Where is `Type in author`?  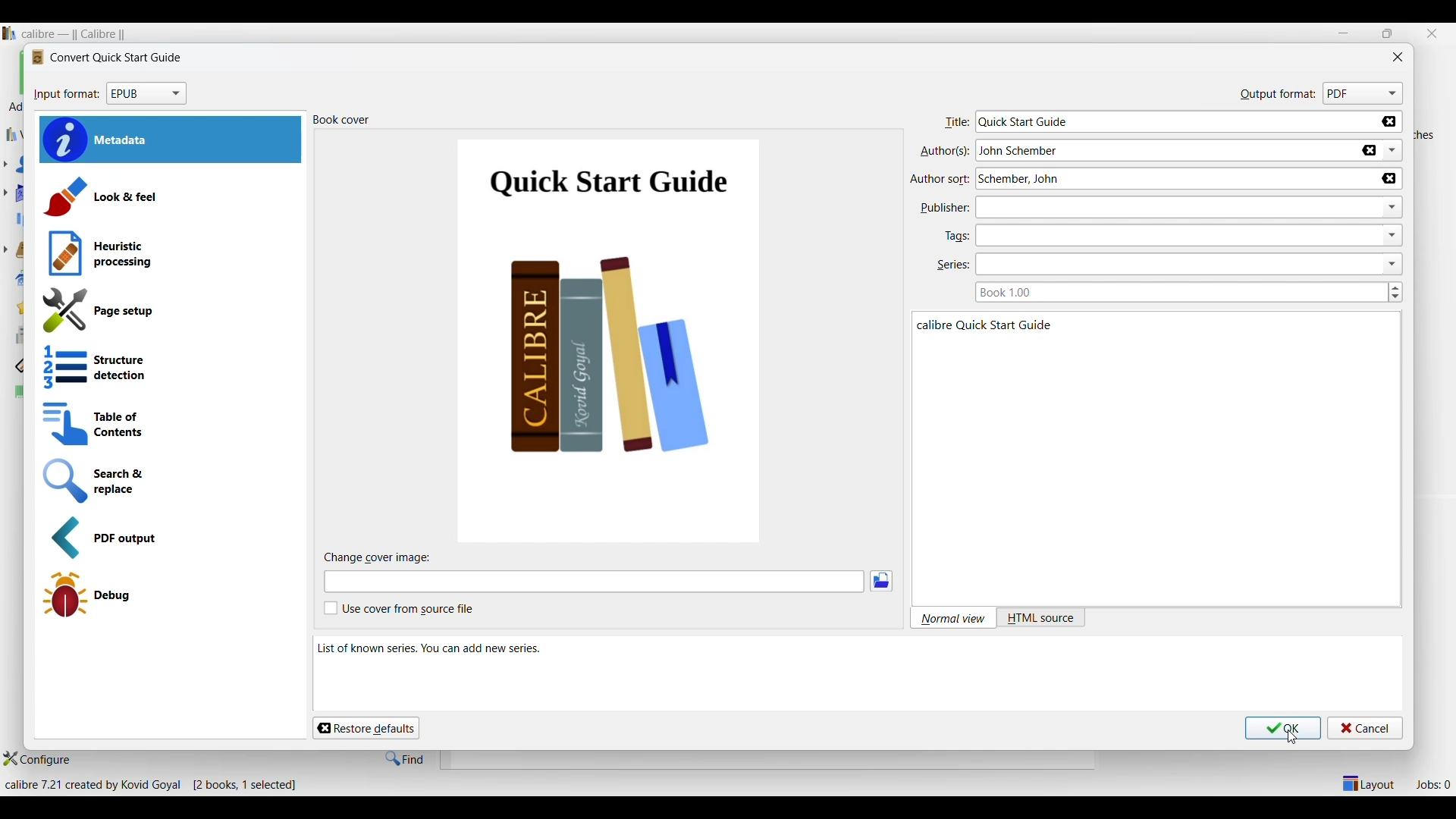 Type in author is located at coordinates (1139, 179).